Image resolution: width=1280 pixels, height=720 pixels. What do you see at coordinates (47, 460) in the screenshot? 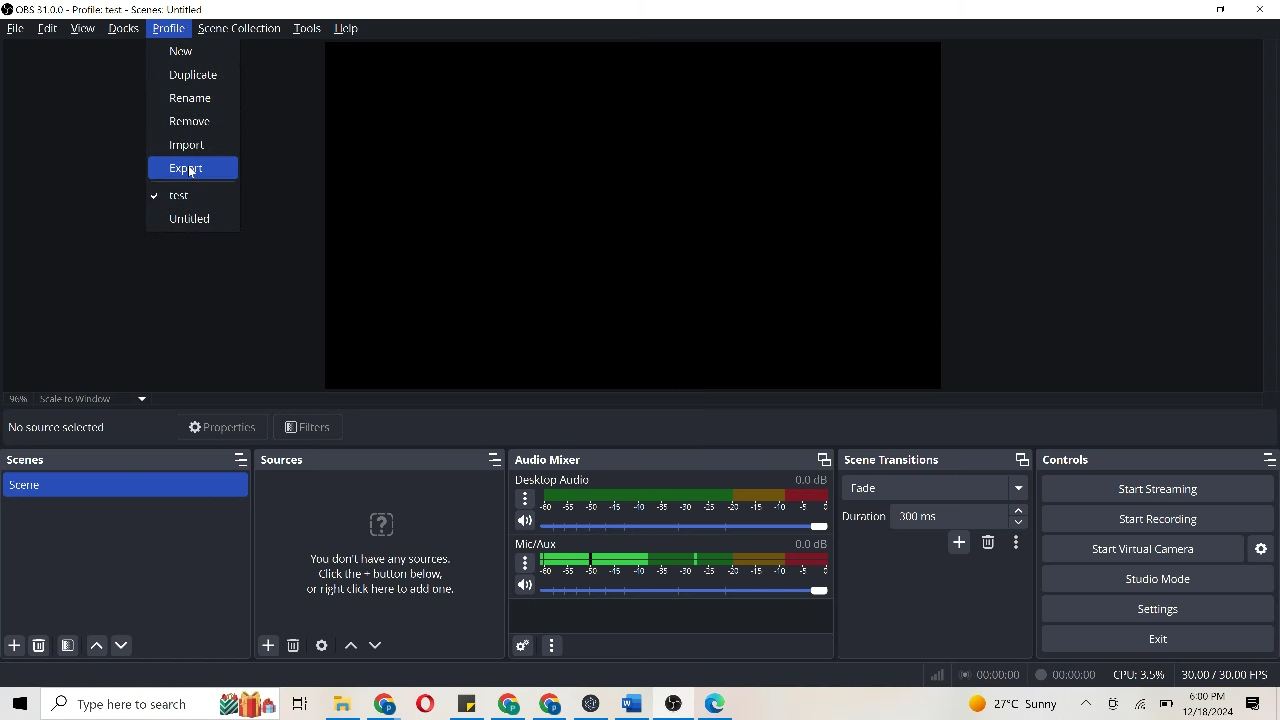
I see `scenes` at bounding box center [47, 460].